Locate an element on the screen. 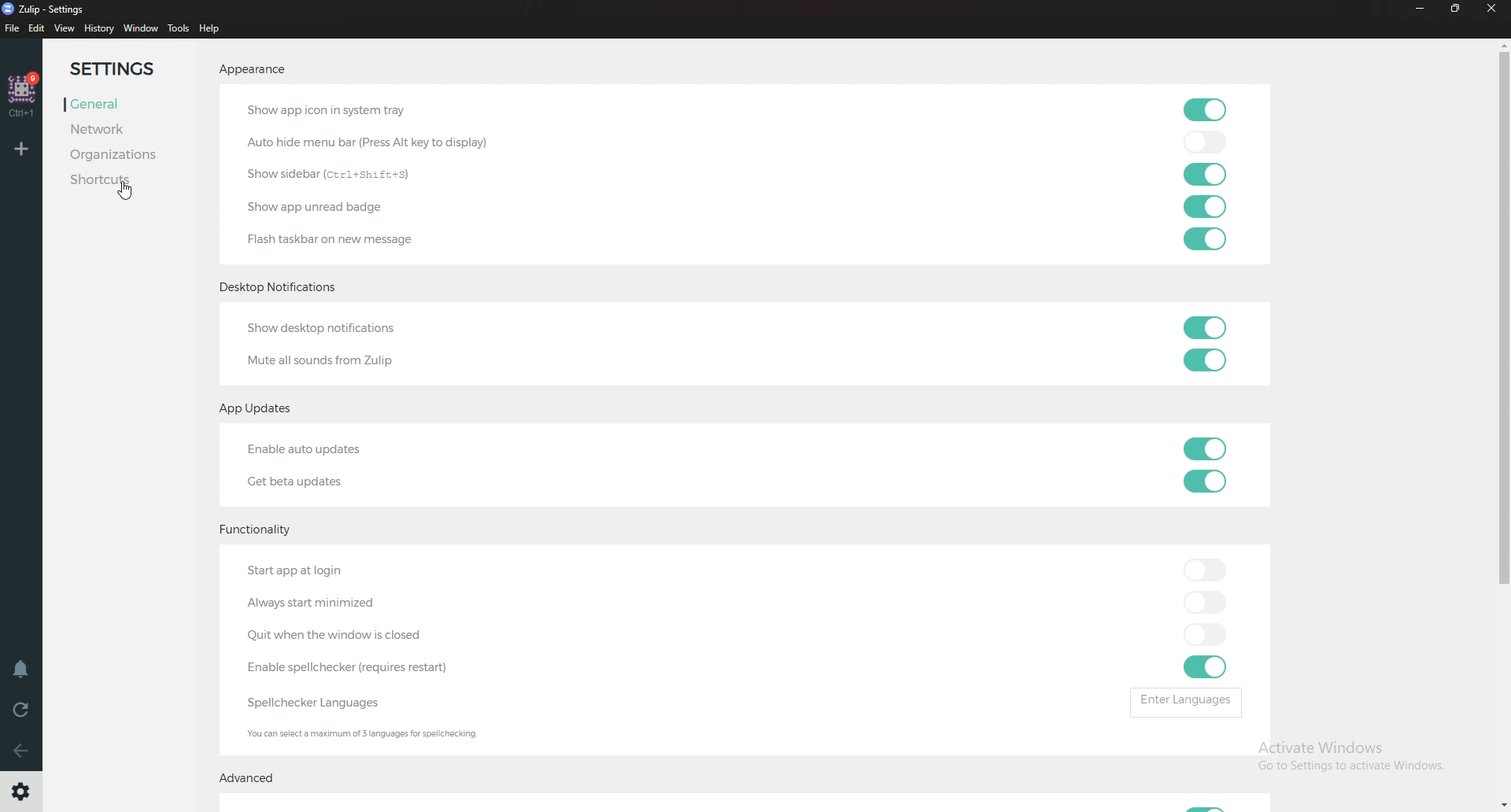 This screenshot has width=1511, height=812. Spell checker languages is located at coordinates (322, 703).